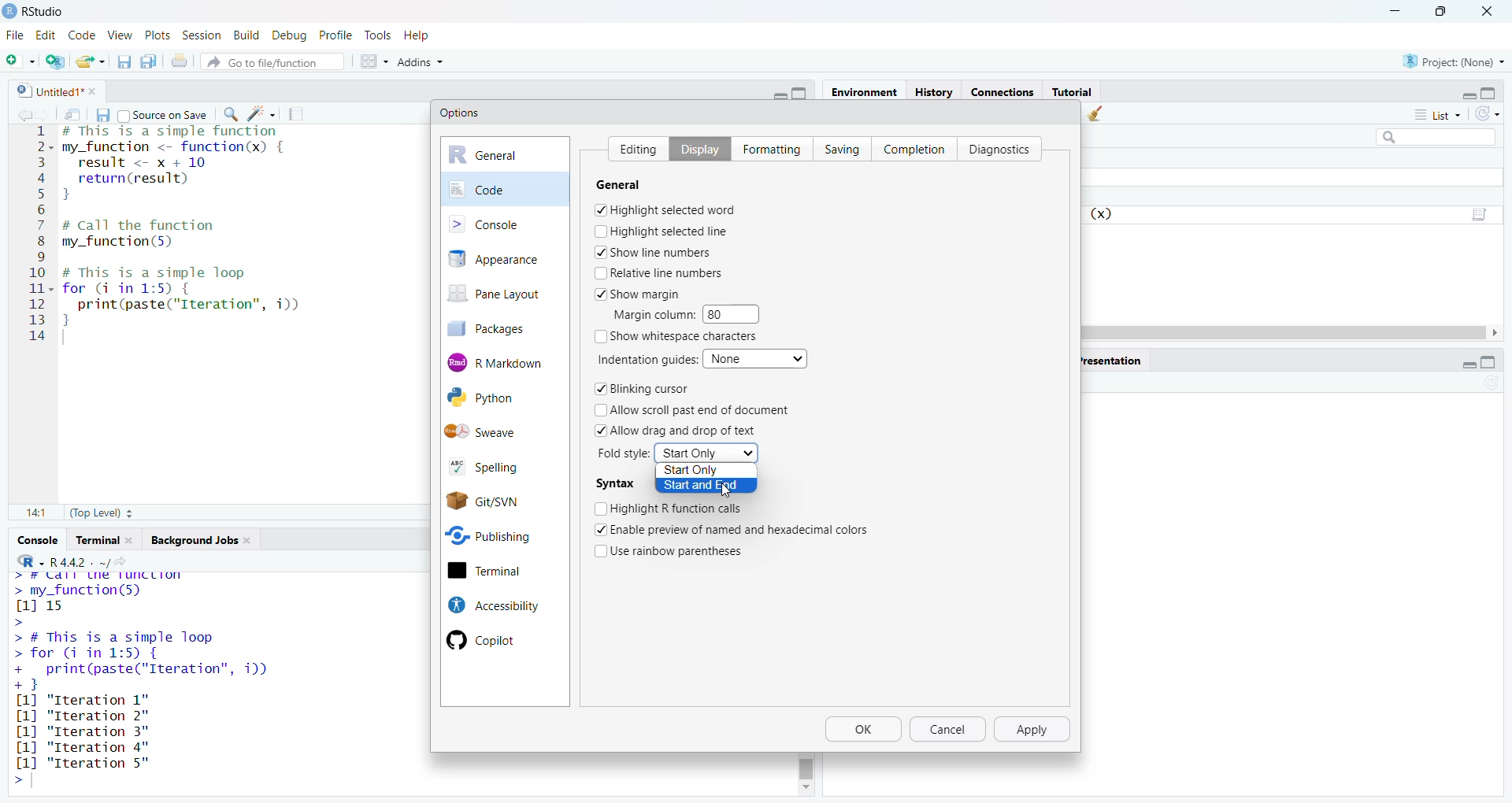  Describe the element at coordinates (633, 146) in the screenshot. I see `editing` at that location.